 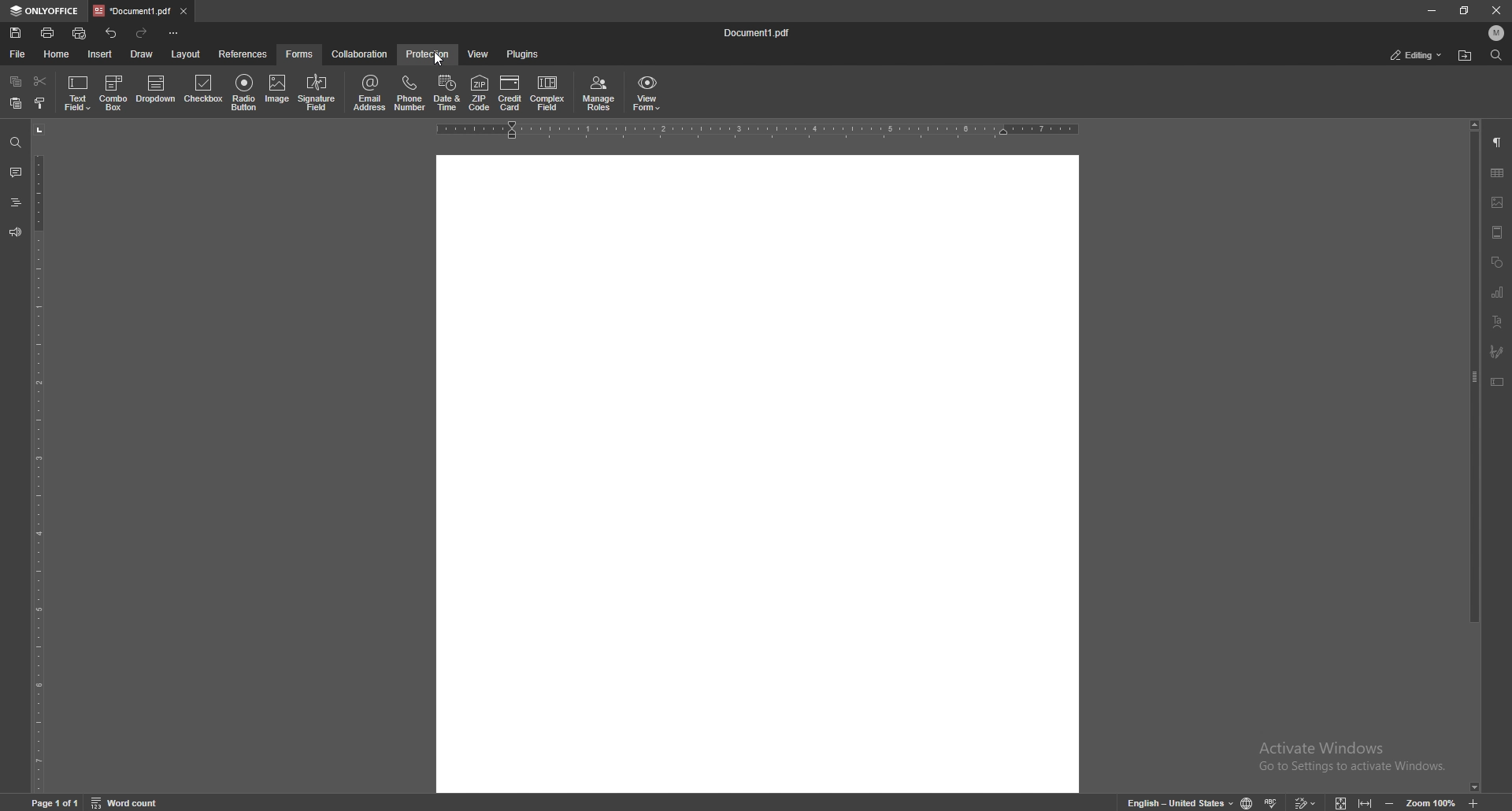 I want to click on redo, so click(x=143, y=33).